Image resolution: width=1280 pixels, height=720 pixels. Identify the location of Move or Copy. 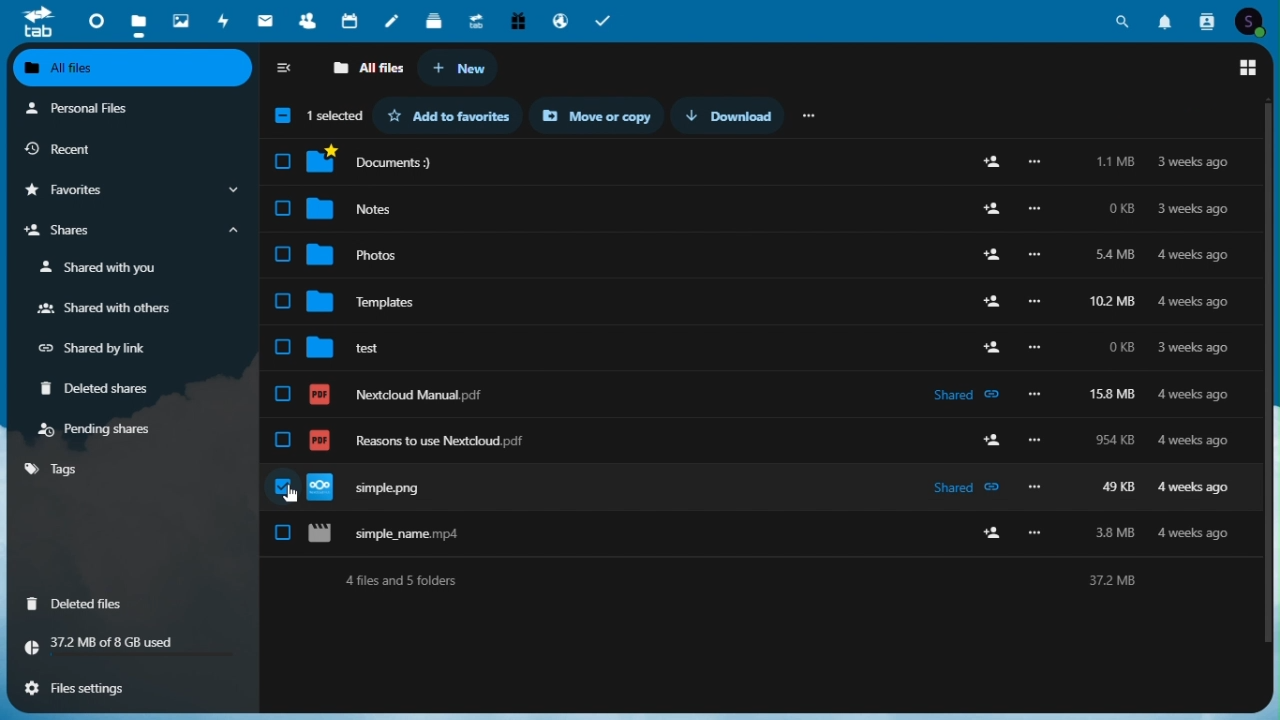
(604, 116).